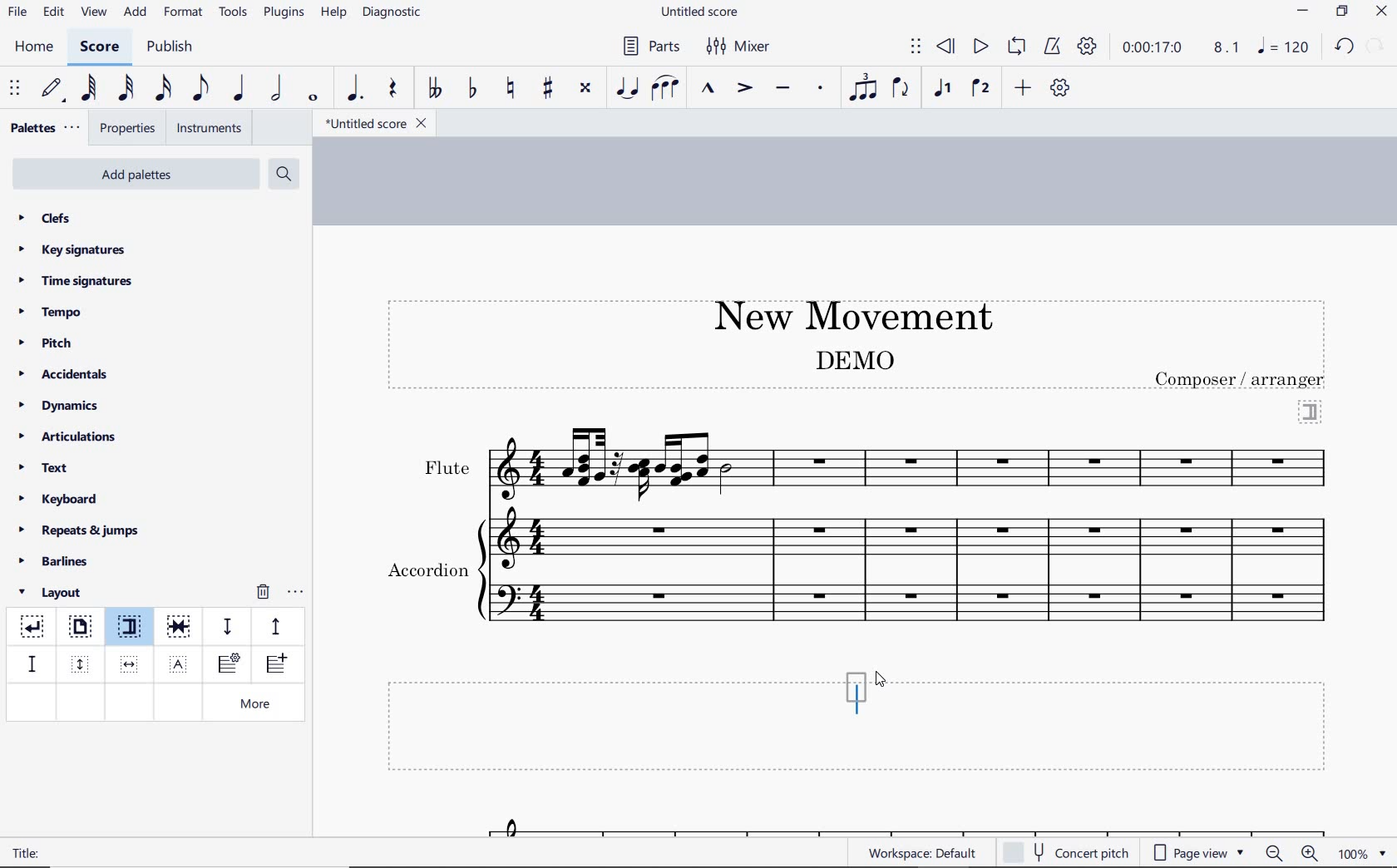  I want to click on edit, so click(52, 12).